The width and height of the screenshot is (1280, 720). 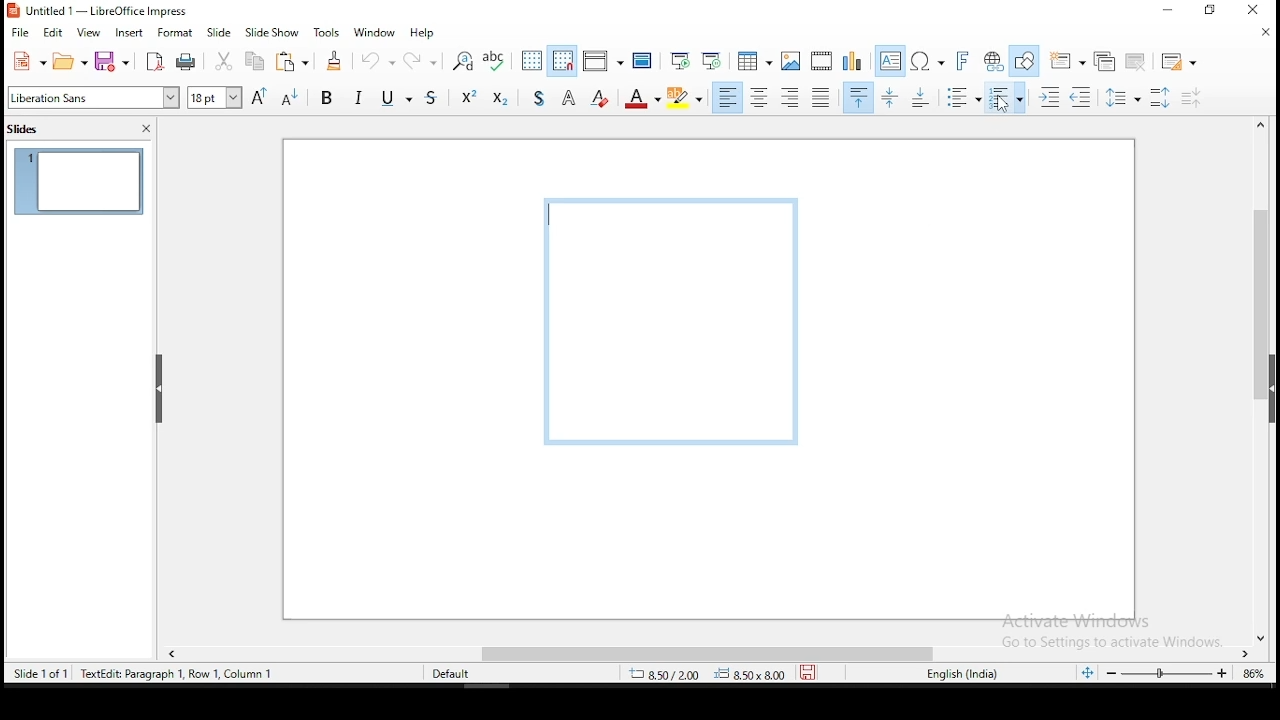 What do you see at coordinates (822, 98) in the screenshot?
I see `justified` at bounding box center [822, 98].